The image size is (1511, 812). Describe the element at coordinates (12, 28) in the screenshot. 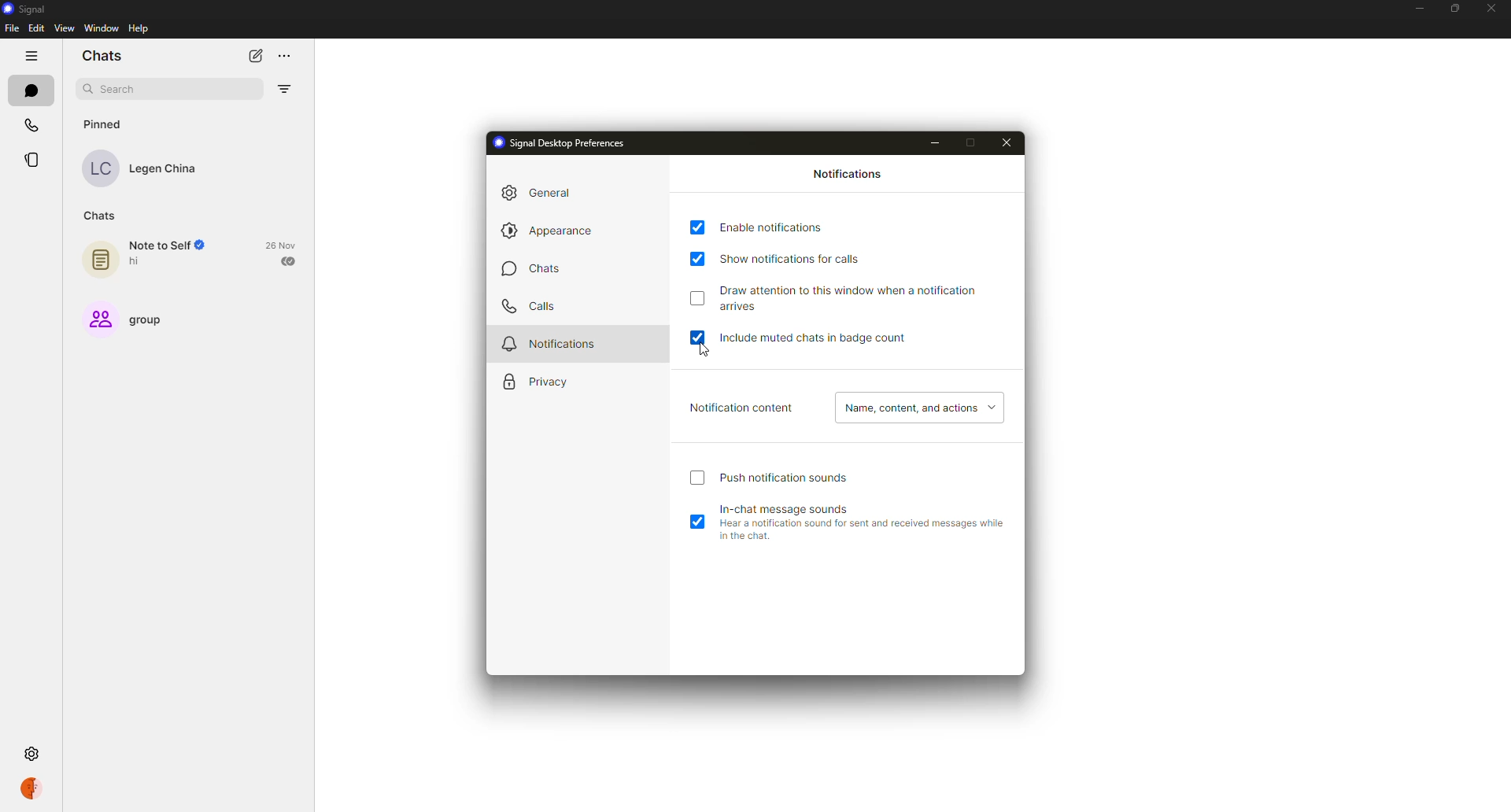

I see `file` at that location.